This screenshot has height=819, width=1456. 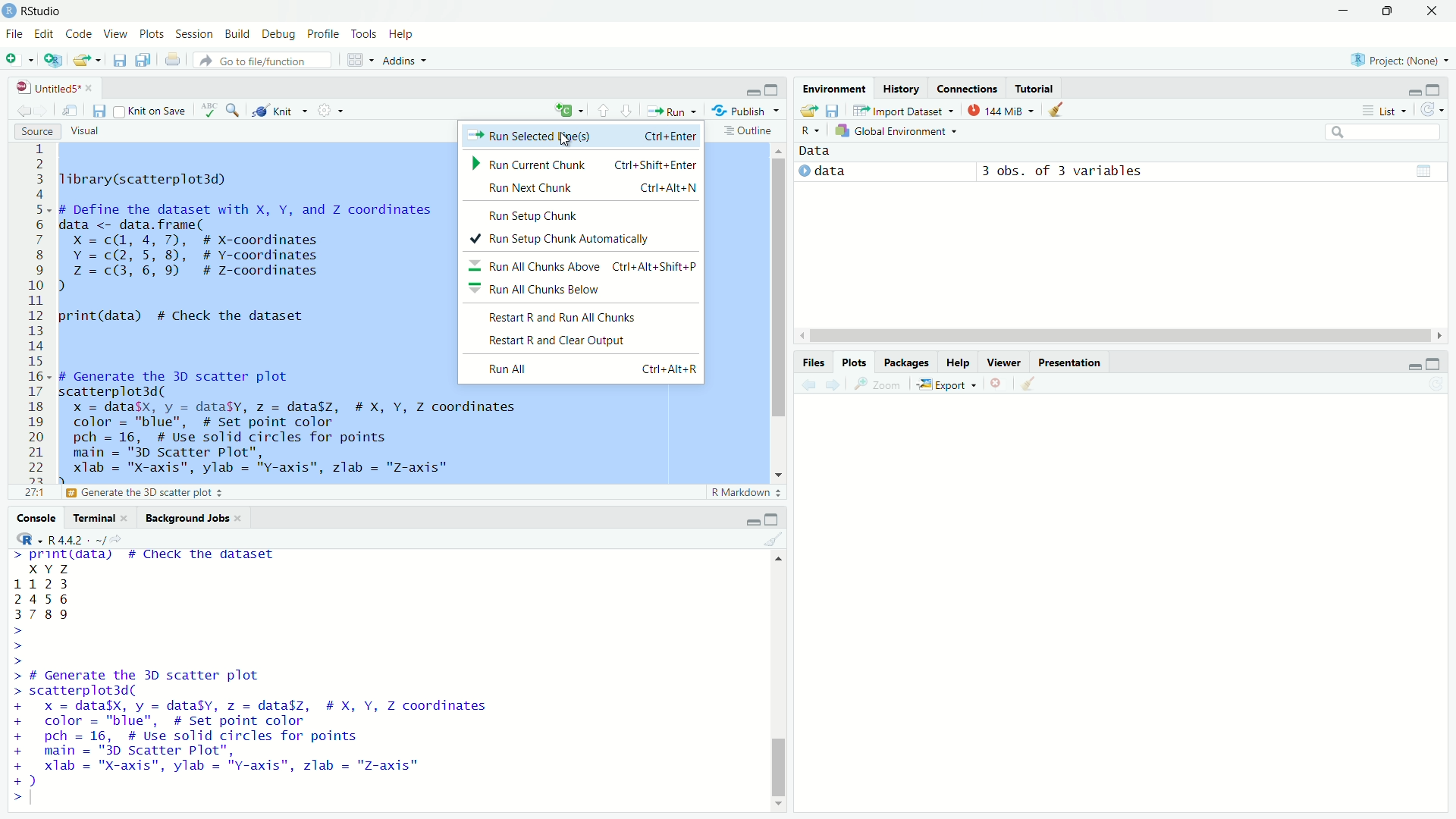 What do you see at coordinates (1409, 363) in the screenshot?
I see `minimize` at bounding box center [1409, 363].